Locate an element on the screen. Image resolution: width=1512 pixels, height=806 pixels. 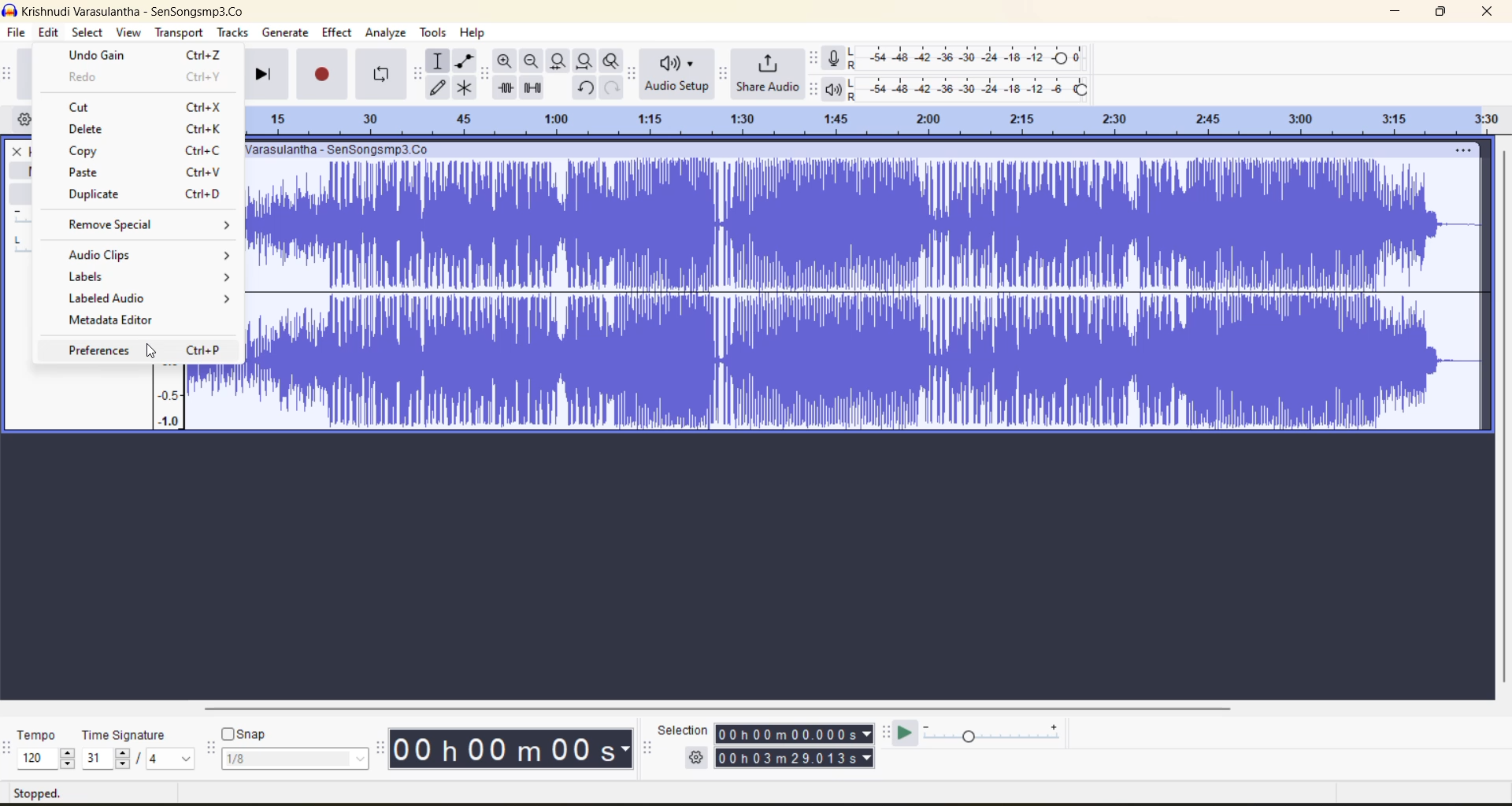
metadata editor is located at coordinates (145, 320).